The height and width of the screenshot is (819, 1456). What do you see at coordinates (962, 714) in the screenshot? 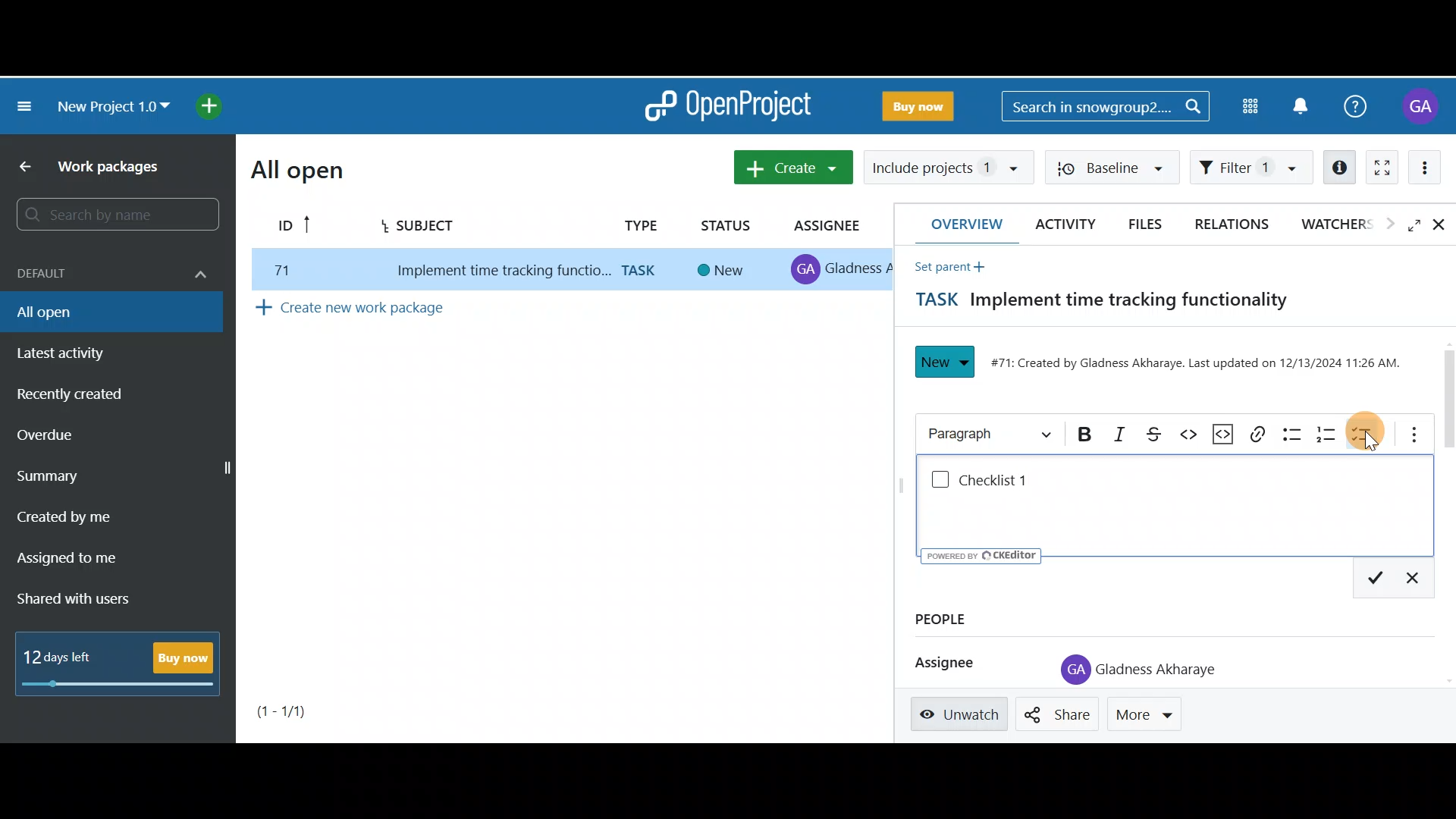
I see `Unwatch` at bounding box center [962, 714].